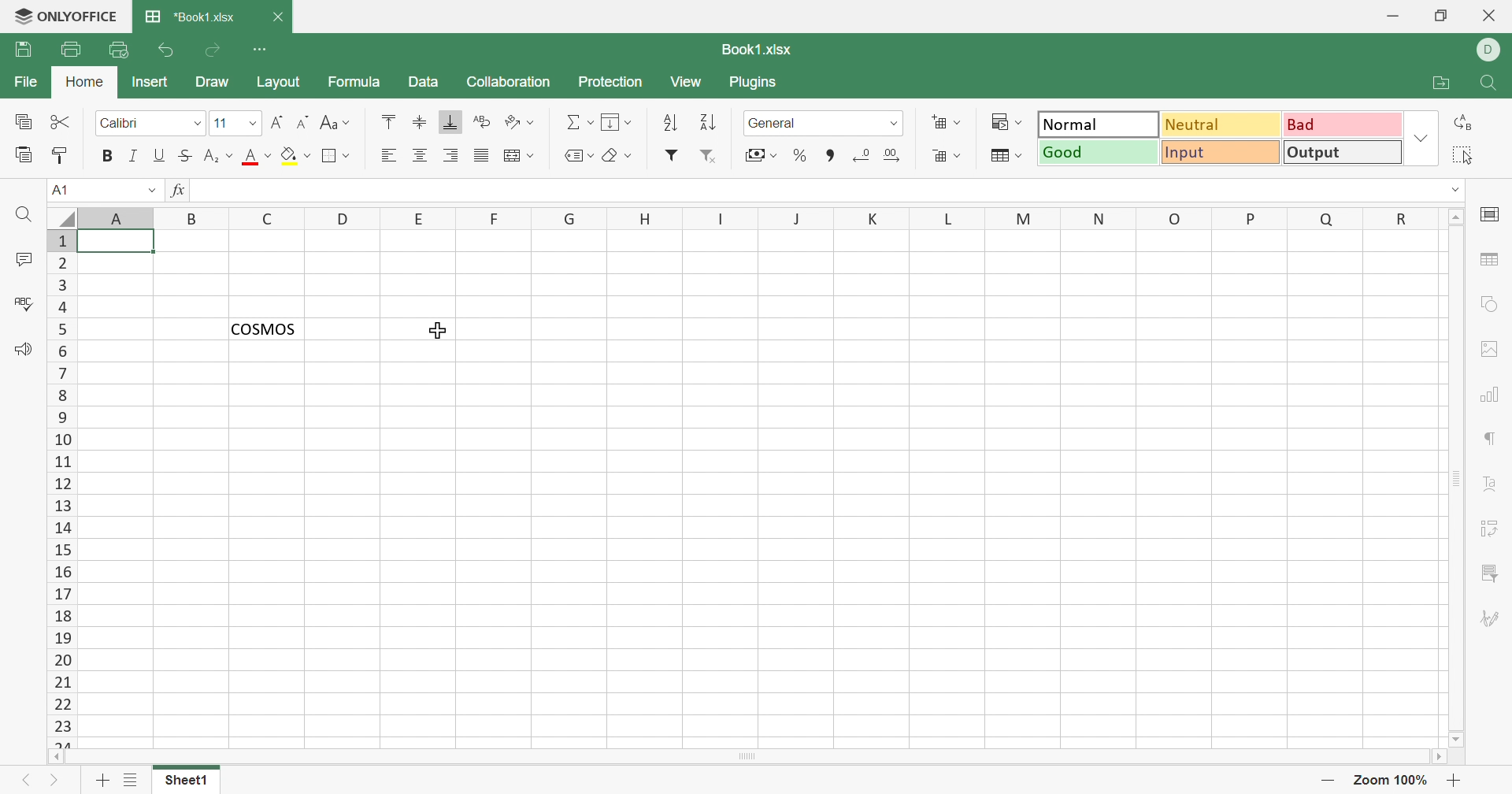  I want to click on Drop down, so click(1453, 190).